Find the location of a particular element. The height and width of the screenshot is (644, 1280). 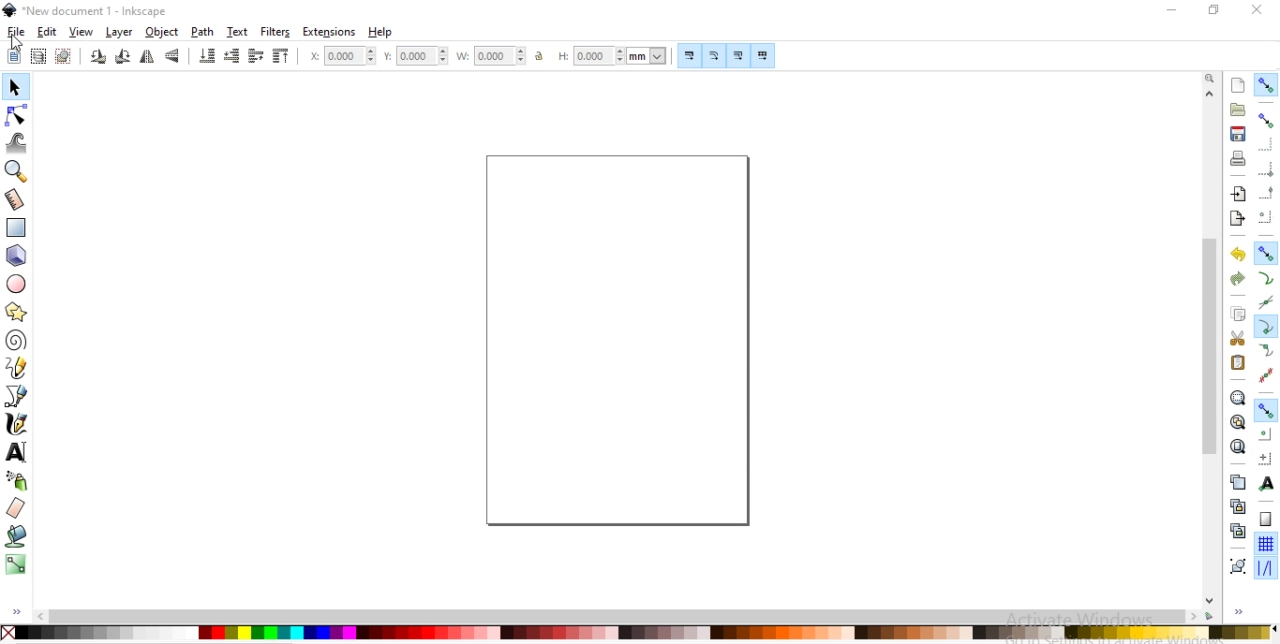

zoom in or out is located at coordinates (18, 171).